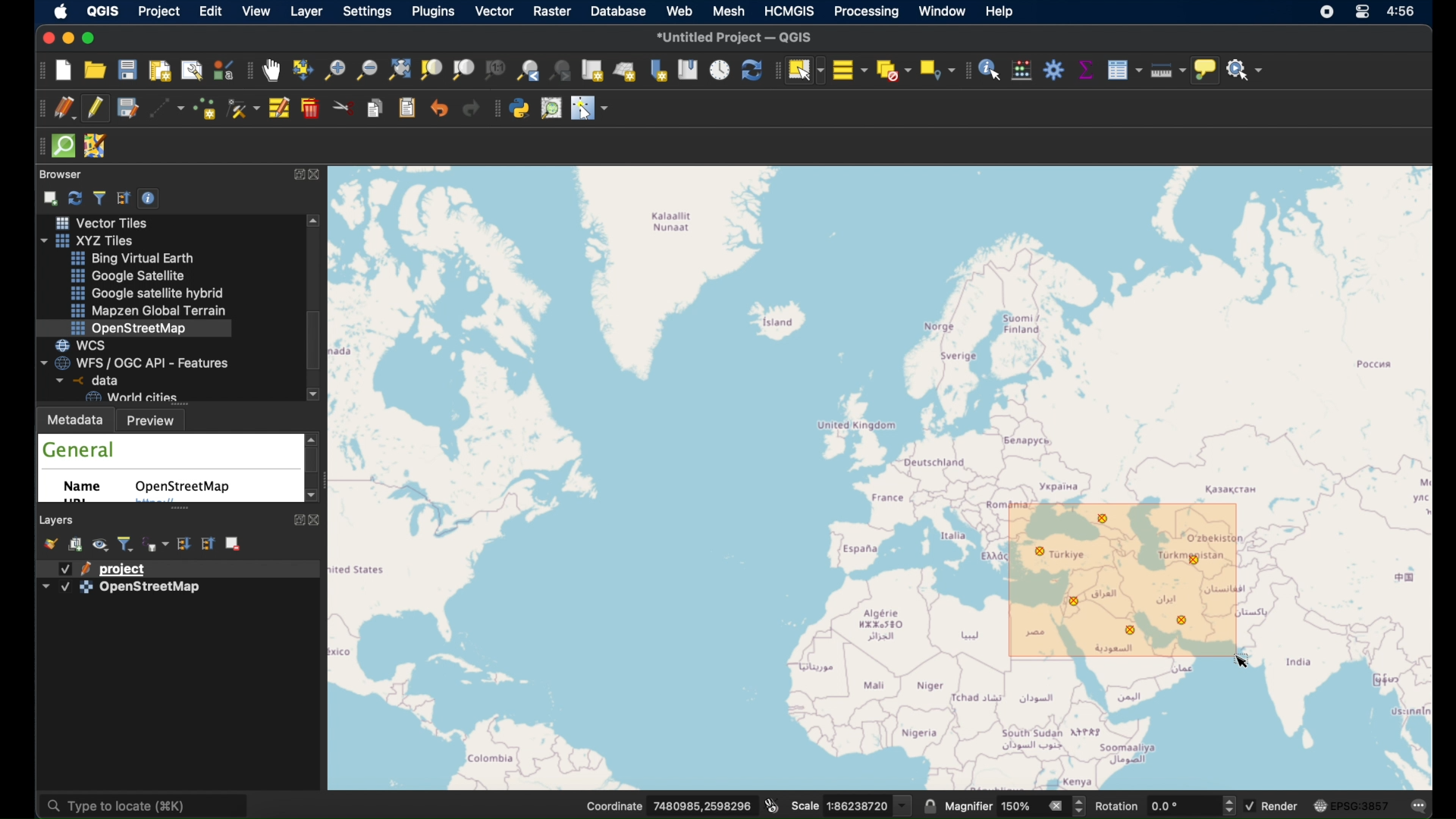 The image size is (1456, 819). I want to click on project layer, so click(125, 568).